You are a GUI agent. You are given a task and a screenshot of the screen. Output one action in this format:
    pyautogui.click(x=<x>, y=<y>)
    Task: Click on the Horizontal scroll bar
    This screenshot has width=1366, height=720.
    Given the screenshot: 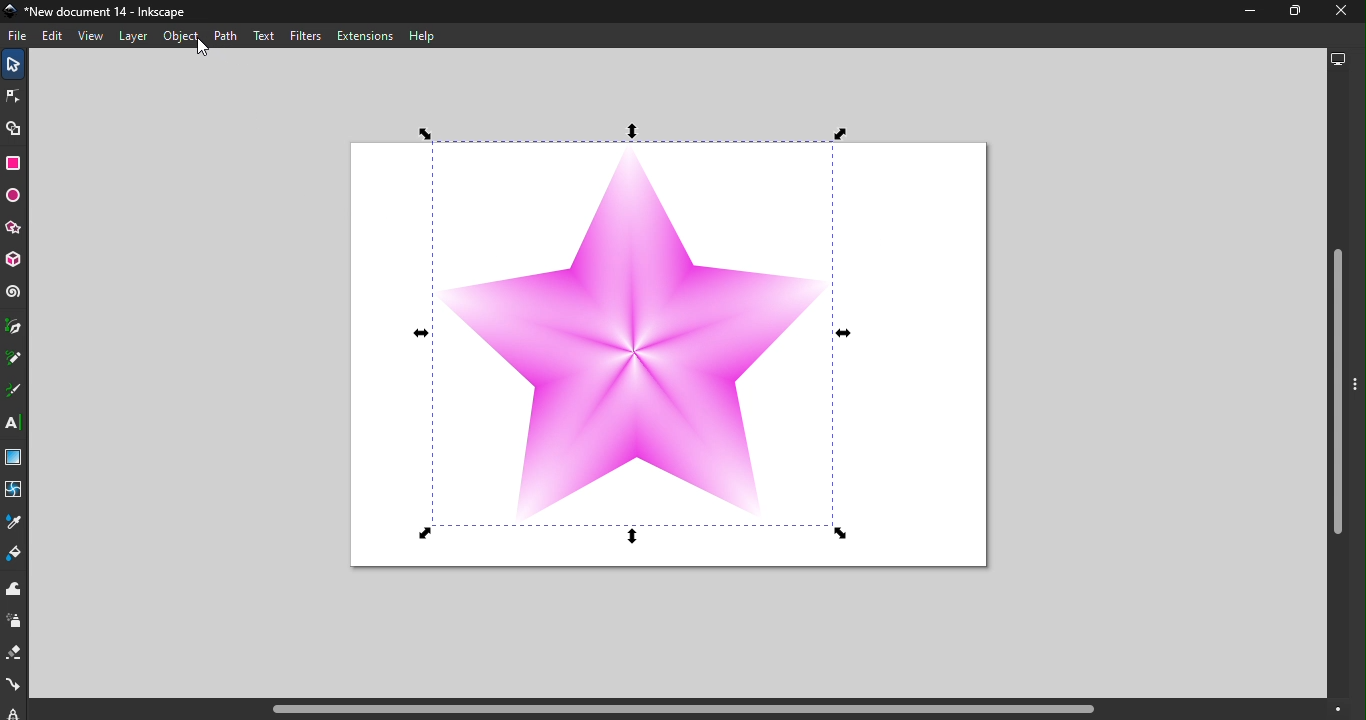 What is the action you would take?
    pyautogui.click(x=691, y=709)
    